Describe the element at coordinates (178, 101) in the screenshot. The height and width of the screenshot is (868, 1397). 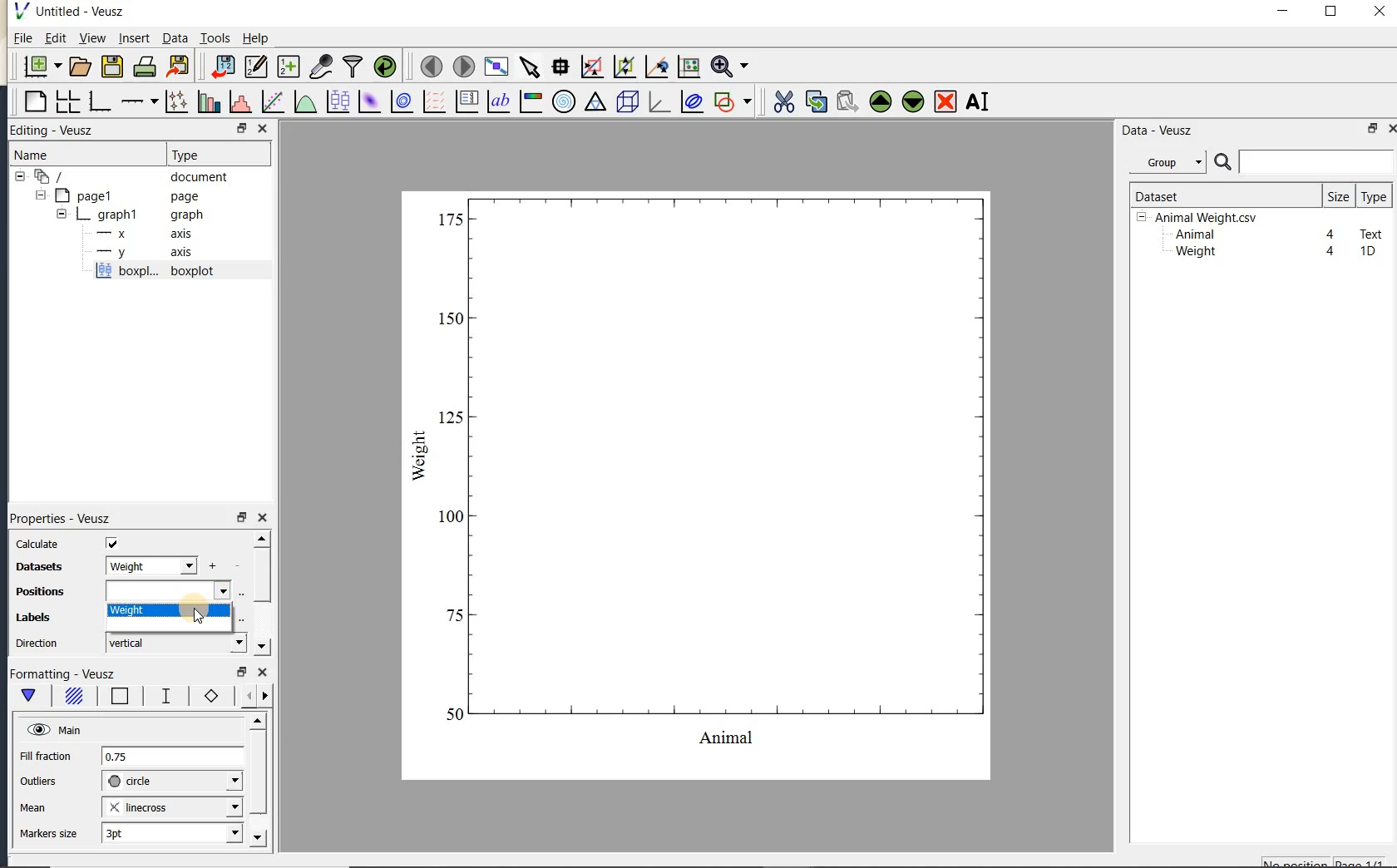
I see `plot points with lines and errorbars` at that location.